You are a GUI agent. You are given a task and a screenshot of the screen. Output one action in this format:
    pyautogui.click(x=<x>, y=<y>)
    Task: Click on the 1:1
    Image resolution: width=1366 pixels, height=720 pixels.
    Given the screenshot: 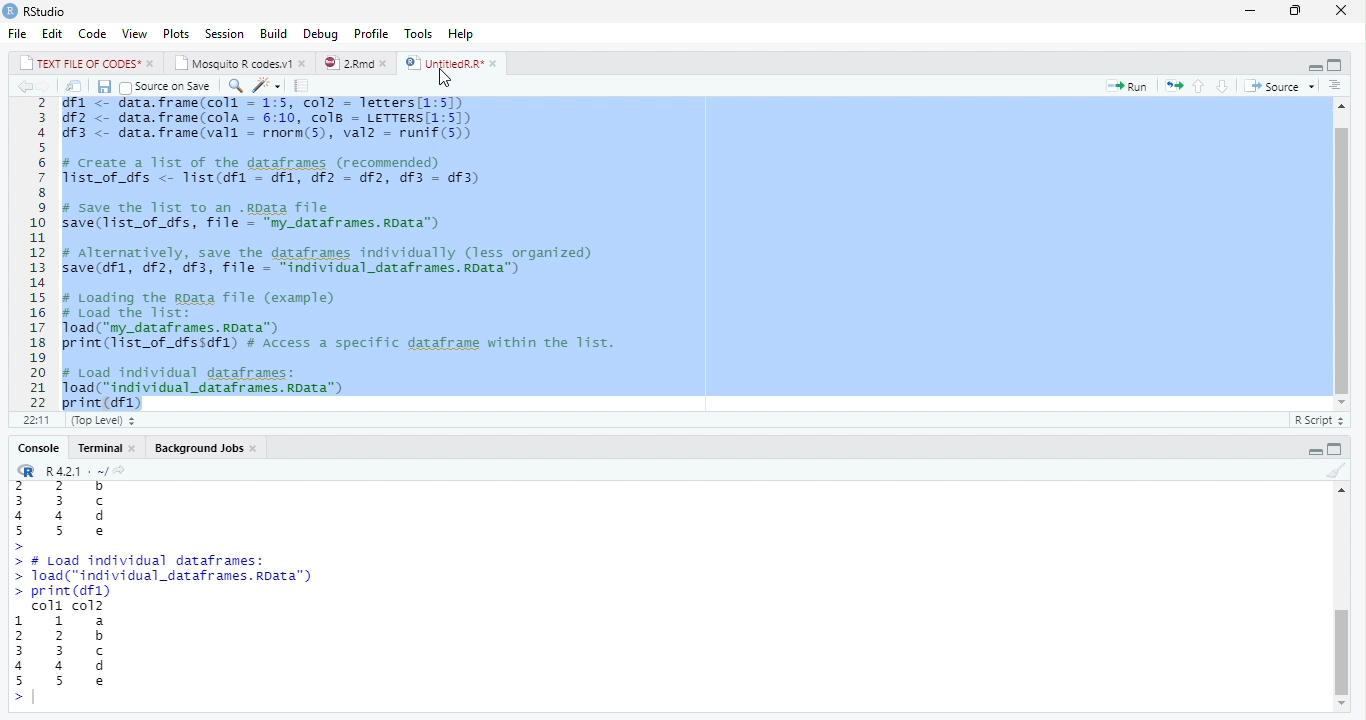 What is the action you would take?
    pyautogui.click(x=33, y=420)
    